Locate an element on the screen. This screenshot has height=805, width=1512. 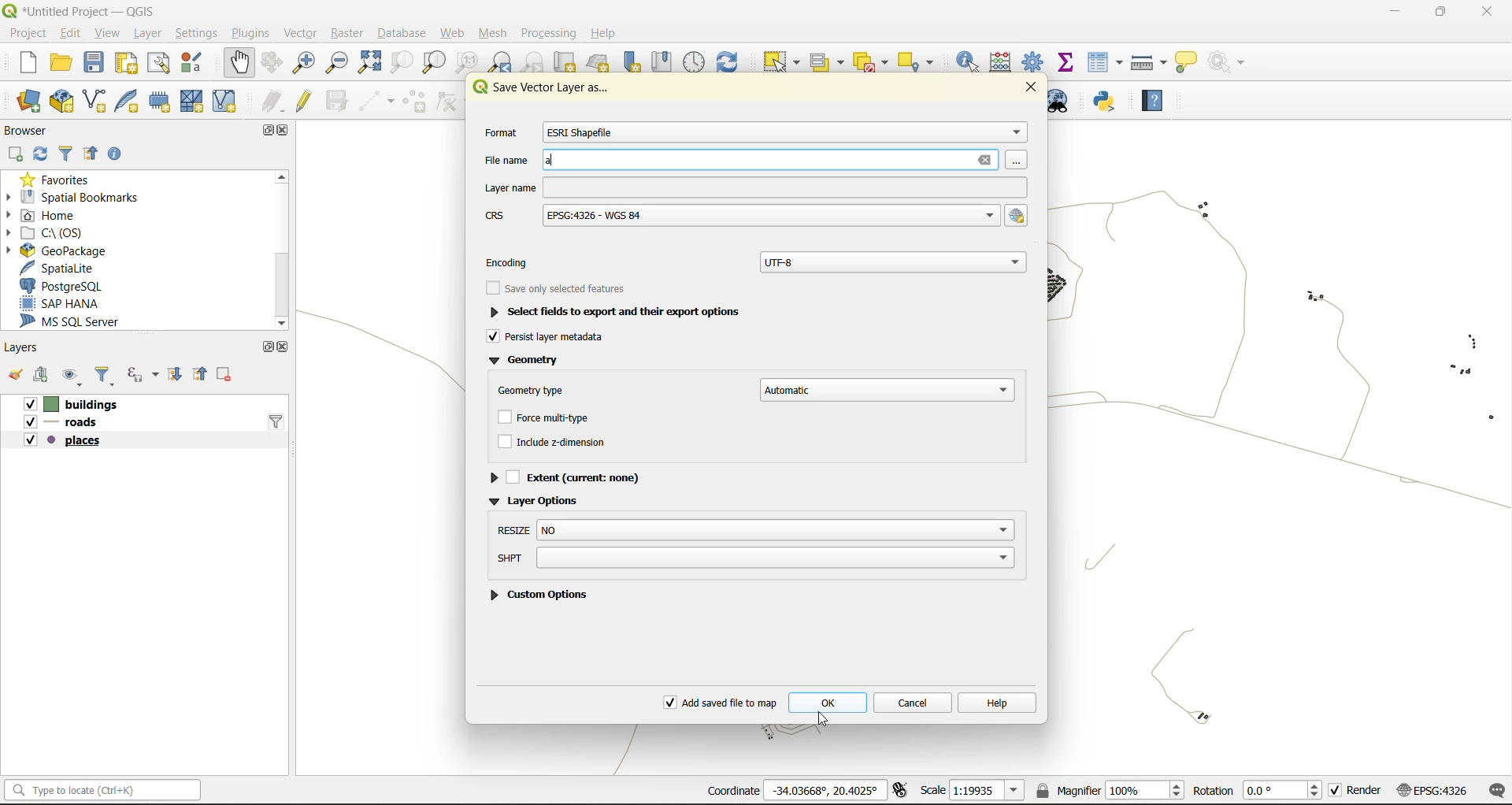
plugins is located at coordinates (251, 33).